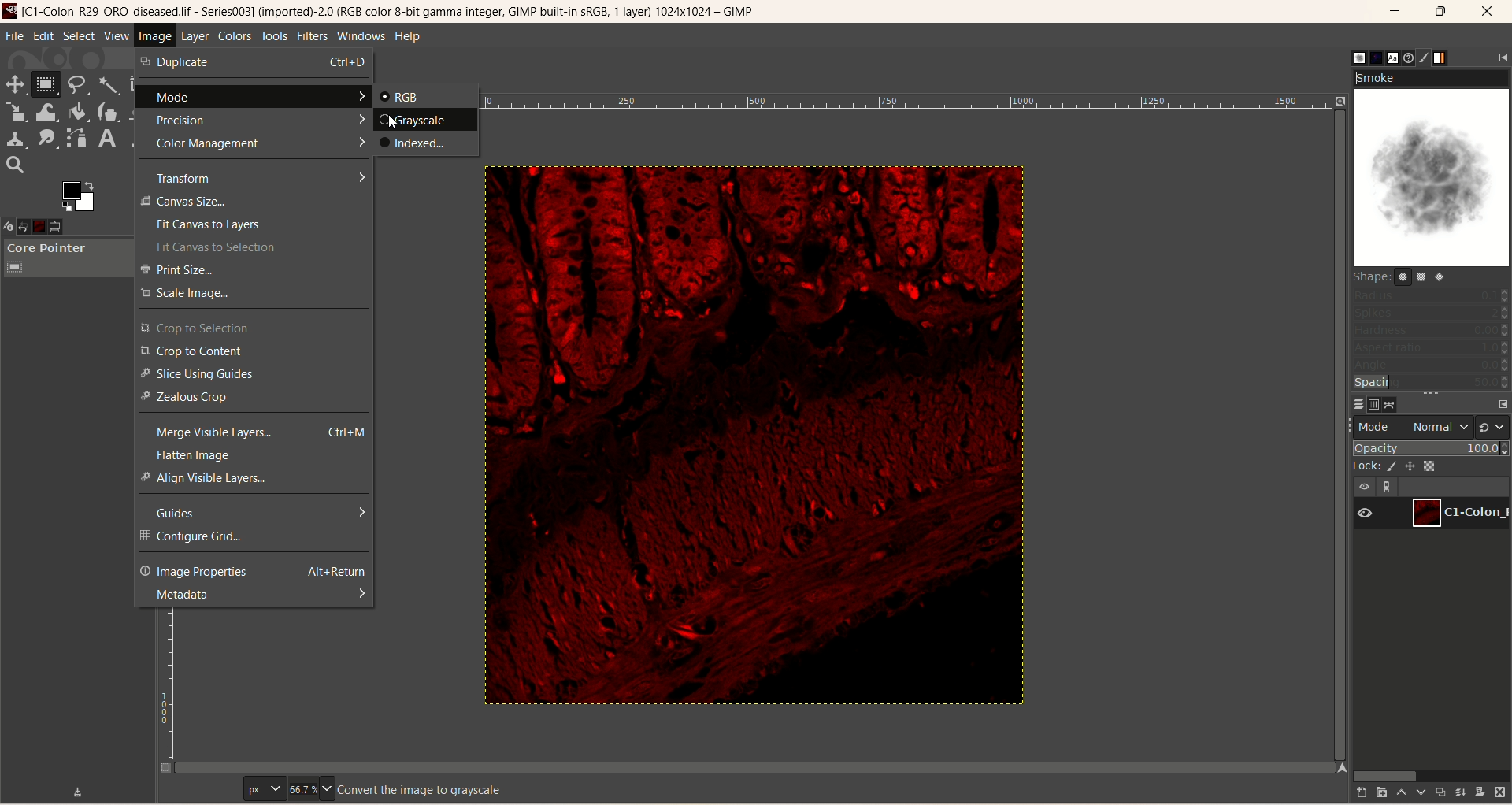  Describe the element at coordinates (254, 455) in the screenshot. I see `flatten image` at that location.